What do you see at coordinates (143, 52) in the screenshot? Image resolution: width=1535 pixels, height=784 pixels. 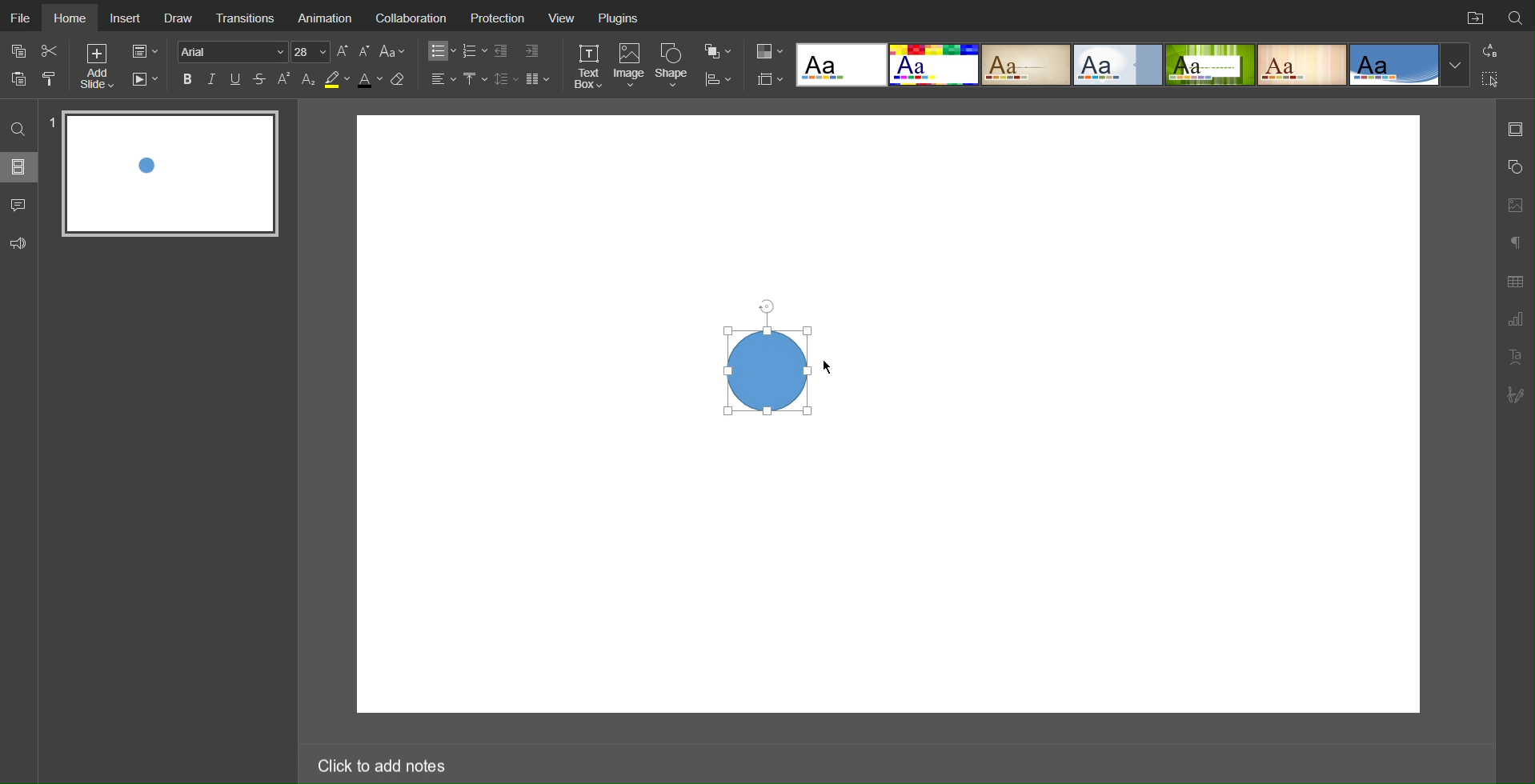 I see `Slide Settings` at bounding box center [143, 52].